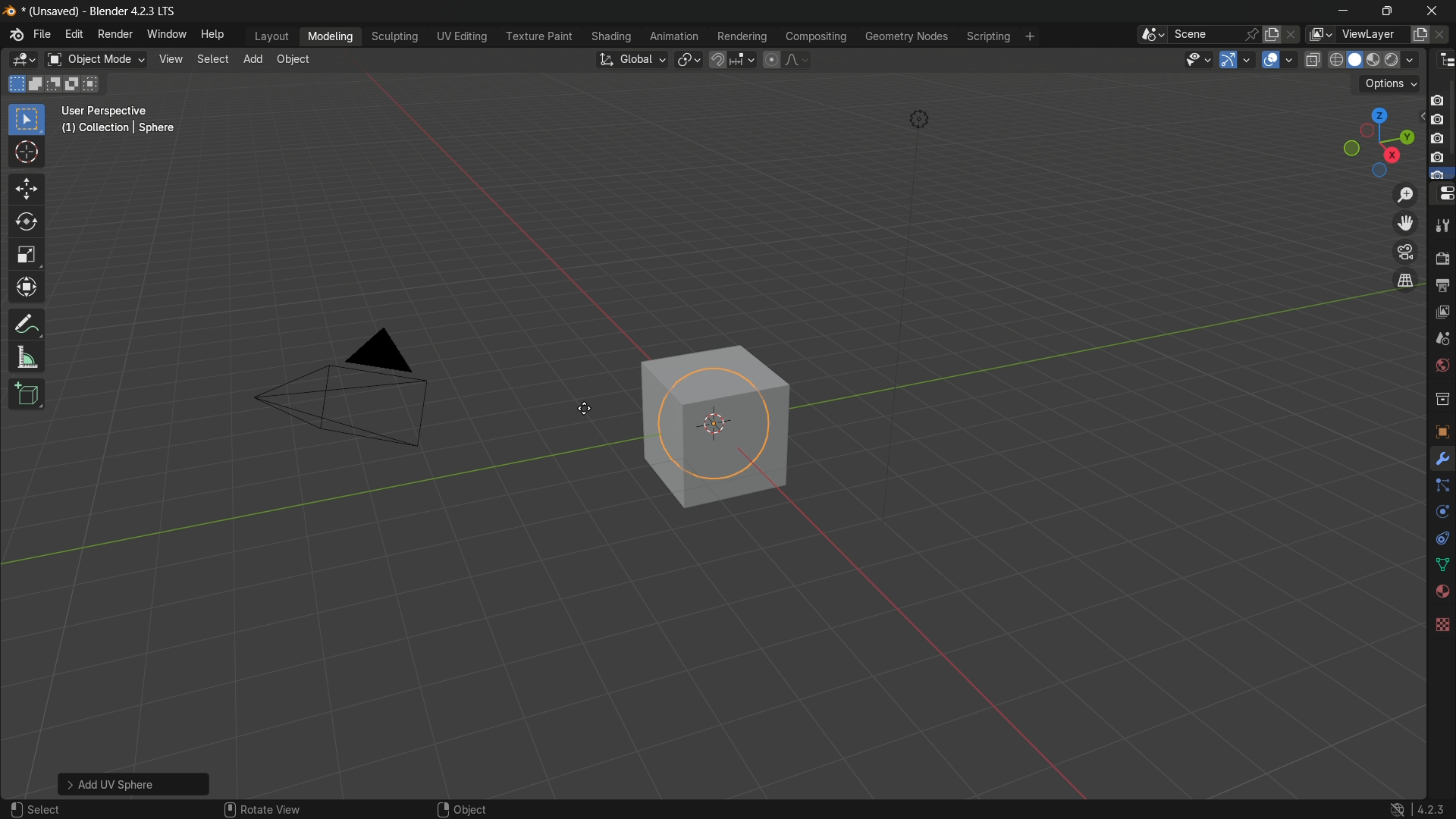 Image resolution: width=1456 pixels, height=819 pixels. Describe the element at coordinates (1421, 35) in the screenshot. I see `add new layer` at that location.